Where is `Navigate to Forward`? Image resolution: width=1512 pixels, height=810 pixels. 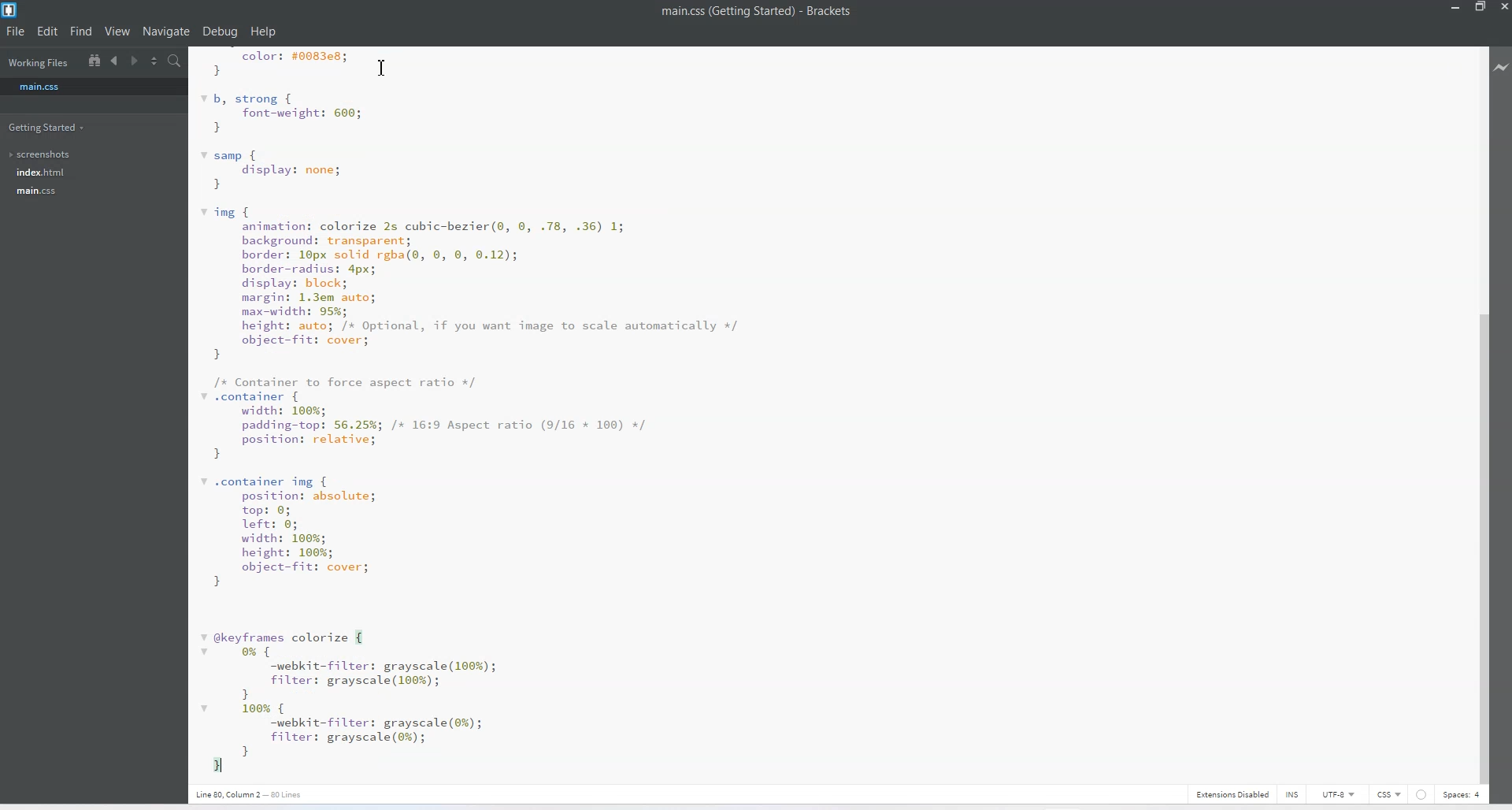 Navigate to Forward is located at coordinates (136, 61).